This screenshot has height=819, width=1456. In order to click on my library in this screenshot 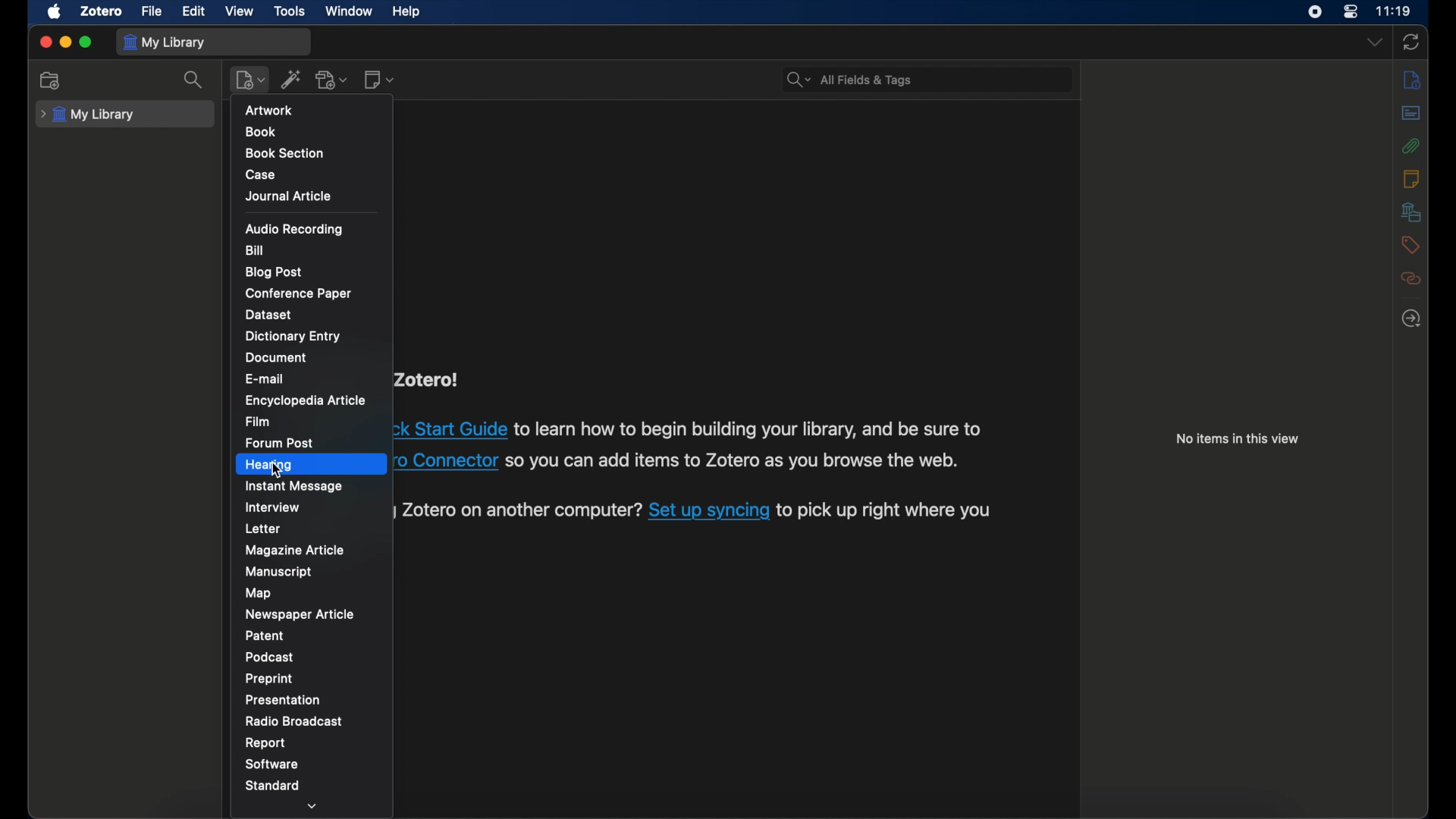, I will do `click(87, 115)`.